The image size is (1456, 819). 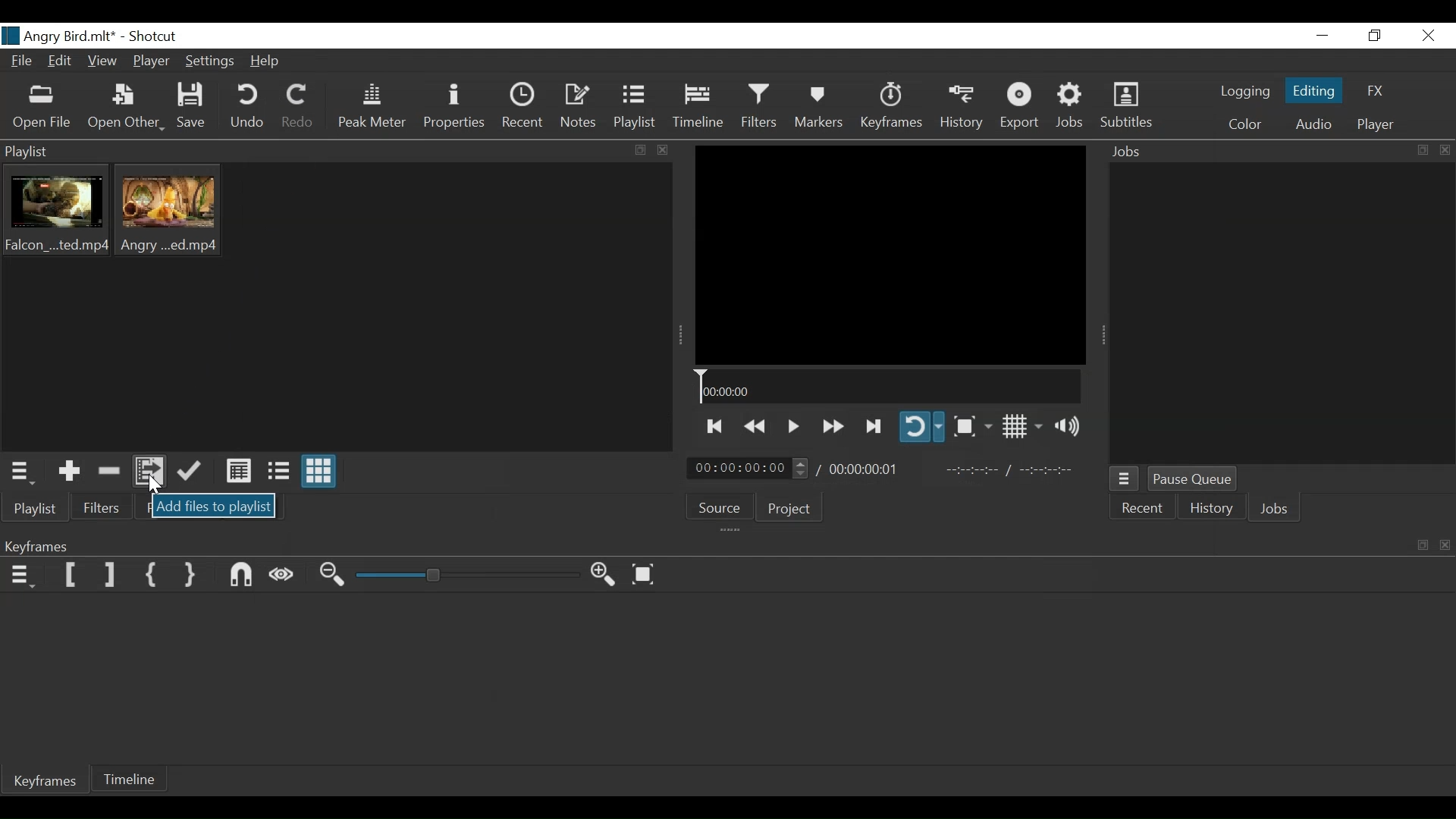 What do you see at coordinates (1144, 510) in the screenshot?
I see `Recent` at bounding box center [1144, 510].